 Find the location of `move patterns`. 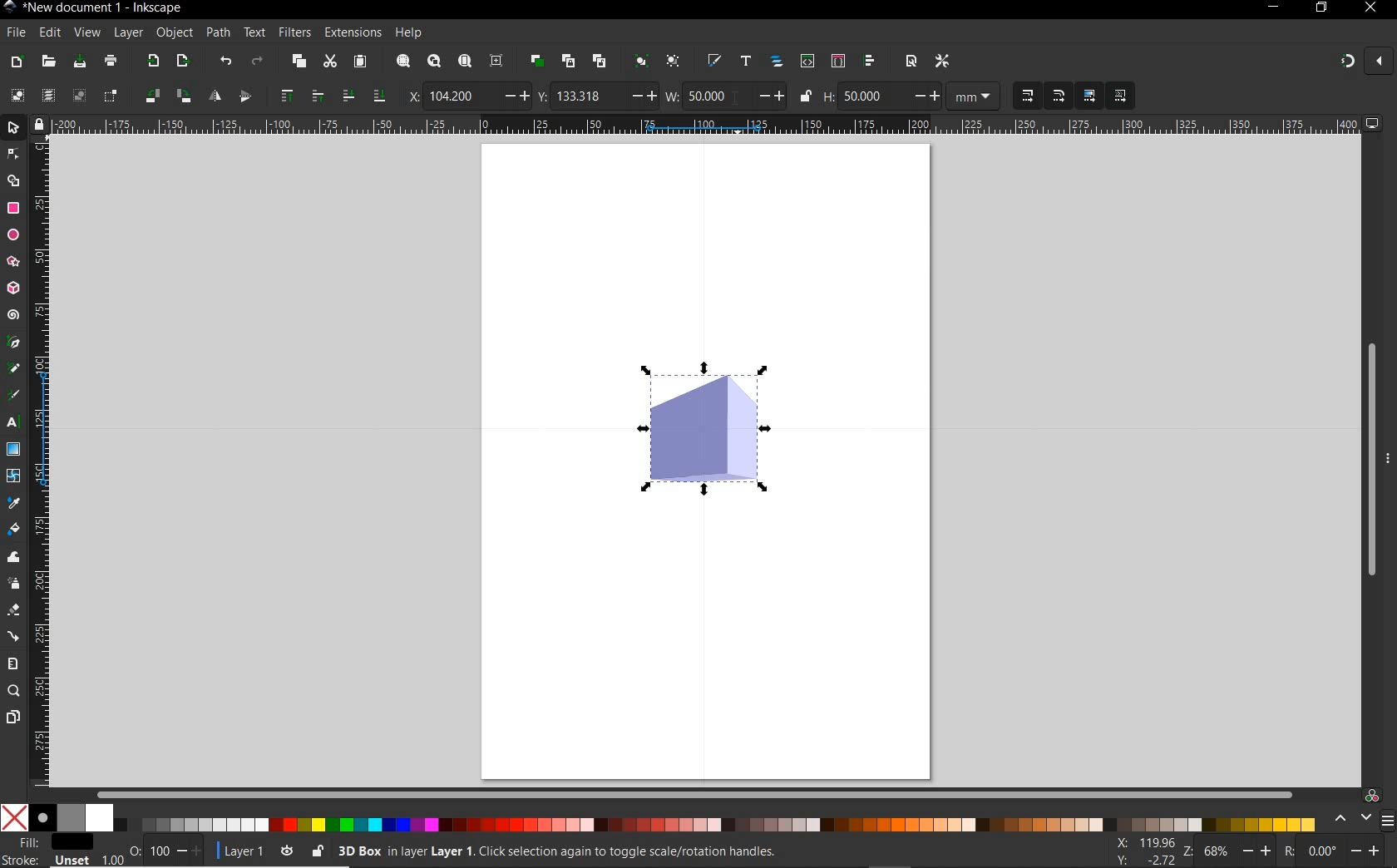

move patterns is located at coordinates (1118, 96).